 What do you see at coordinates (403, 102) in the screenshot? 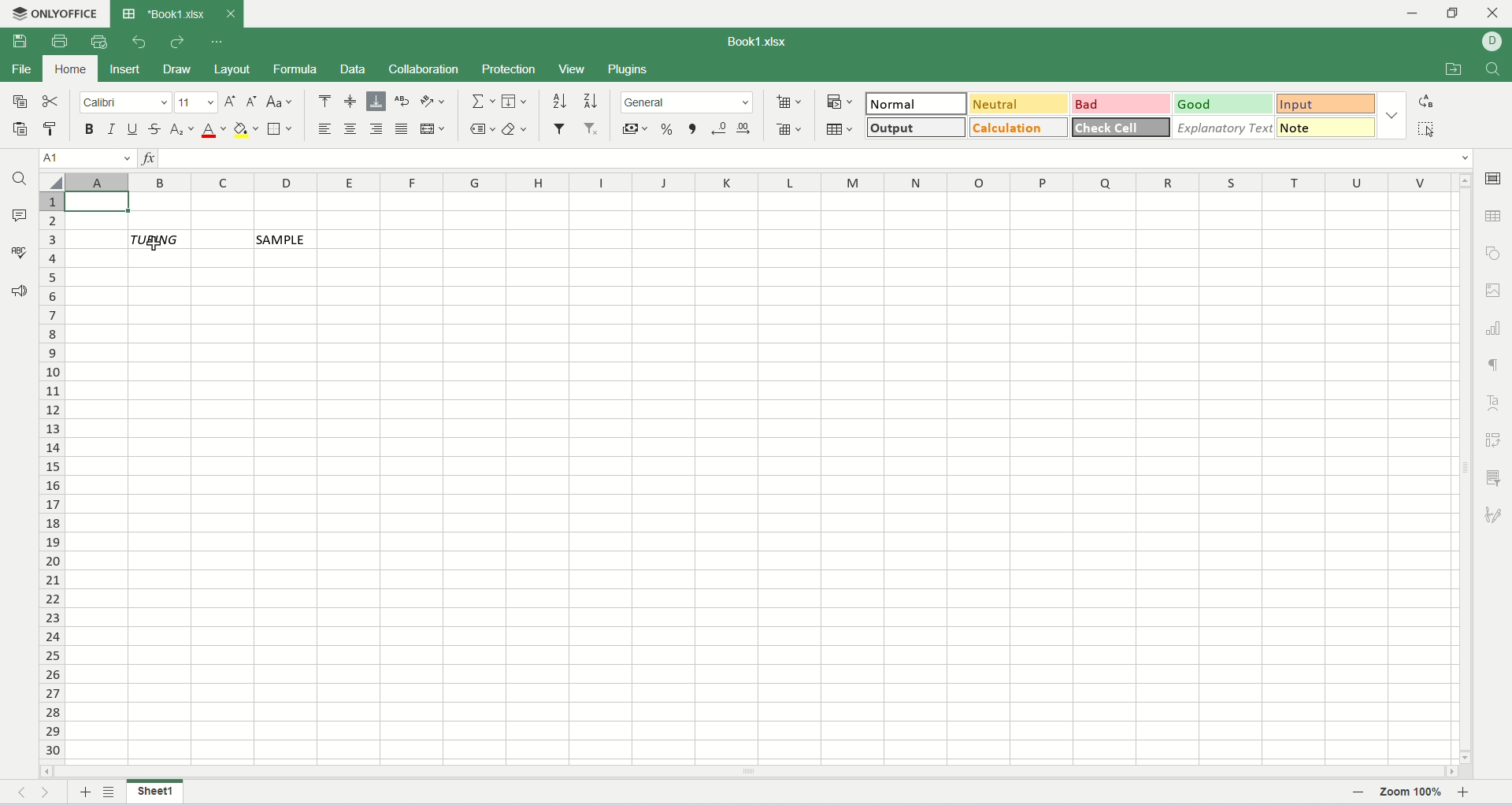
I see `wrap text` at bounding box center [403, 102].